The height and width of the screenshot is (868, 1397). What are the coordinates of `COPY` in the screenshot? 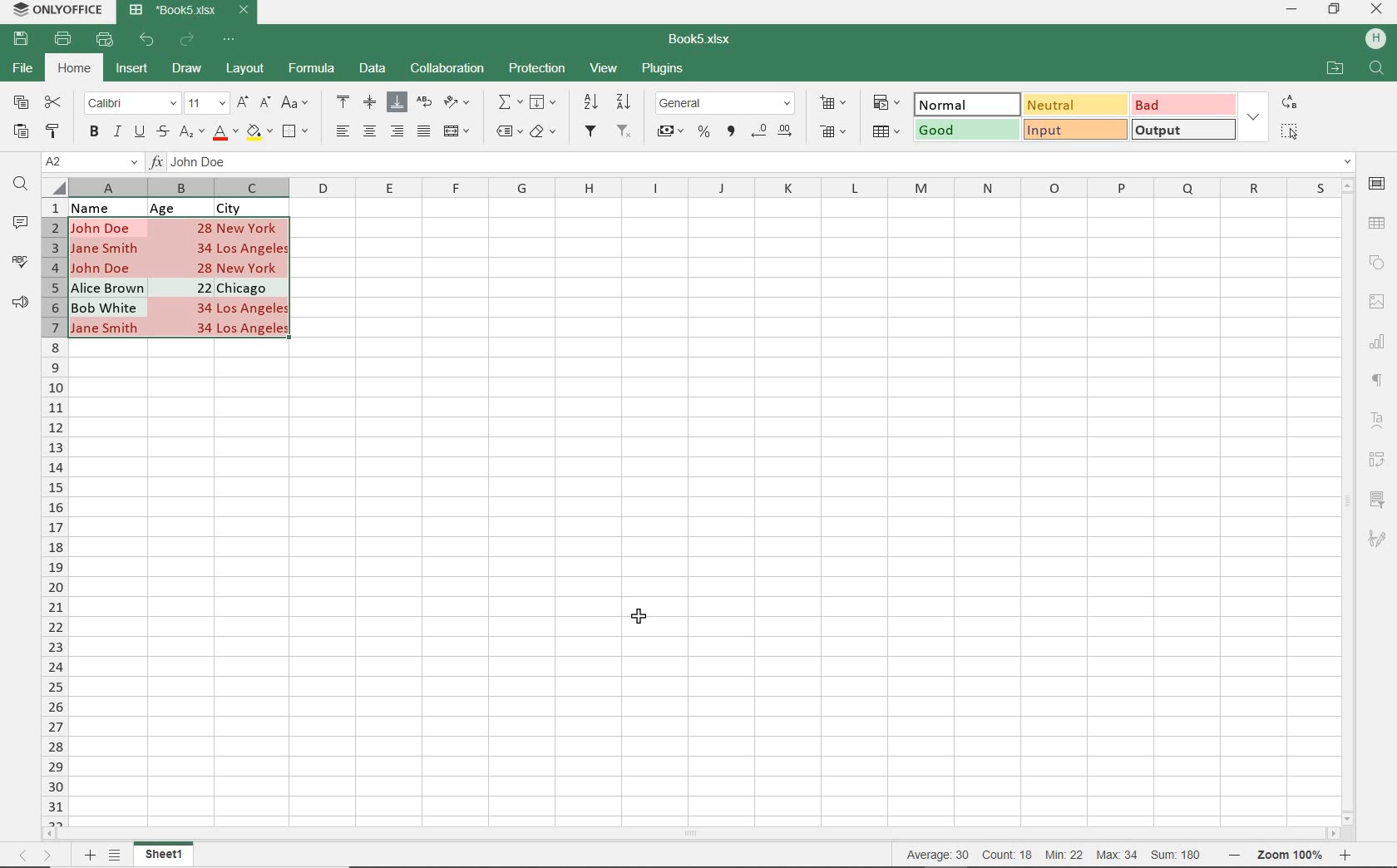 It's located at (22, 103).